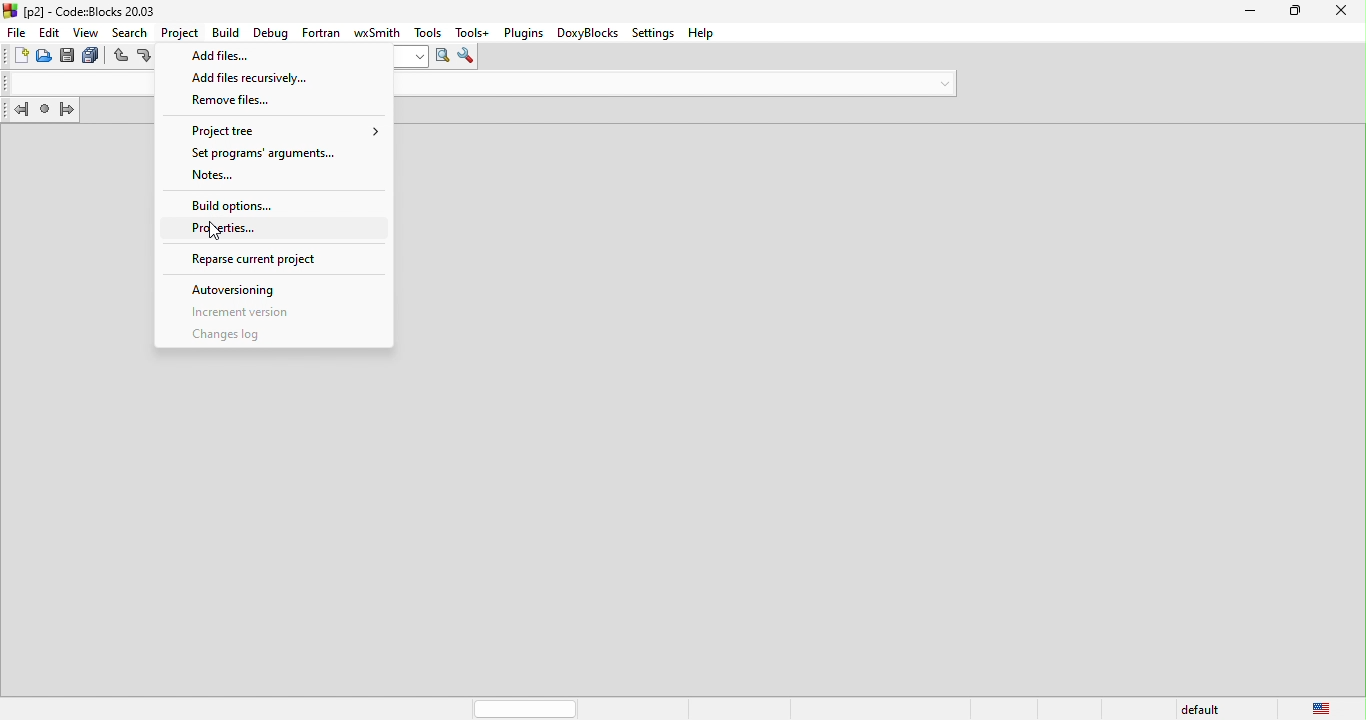  What do you see at coordinates (44, 112) in the screenshot?
I see `last jump` at bounding box center [44, 112].